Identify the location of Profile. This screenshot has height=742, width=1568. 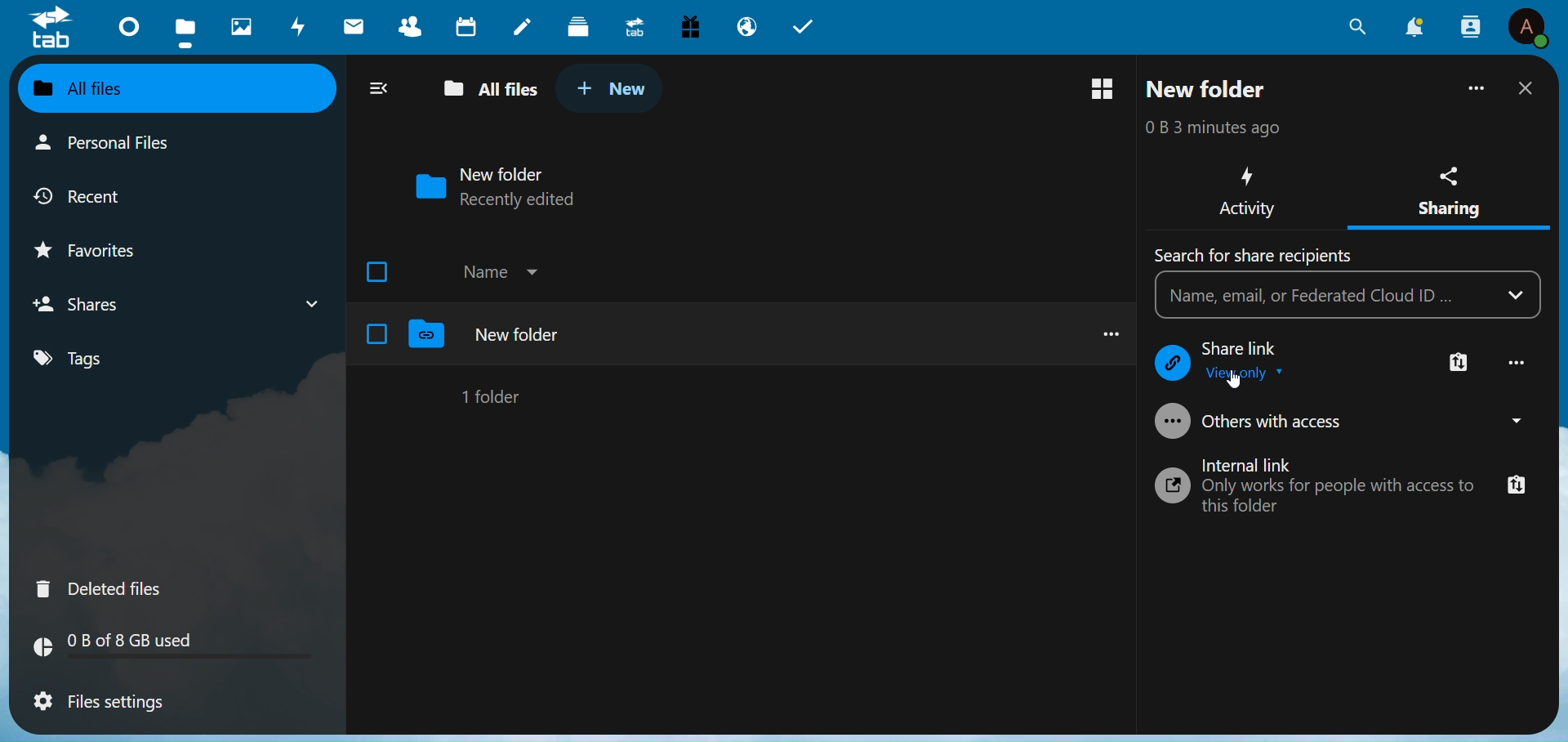
(1528, 29).